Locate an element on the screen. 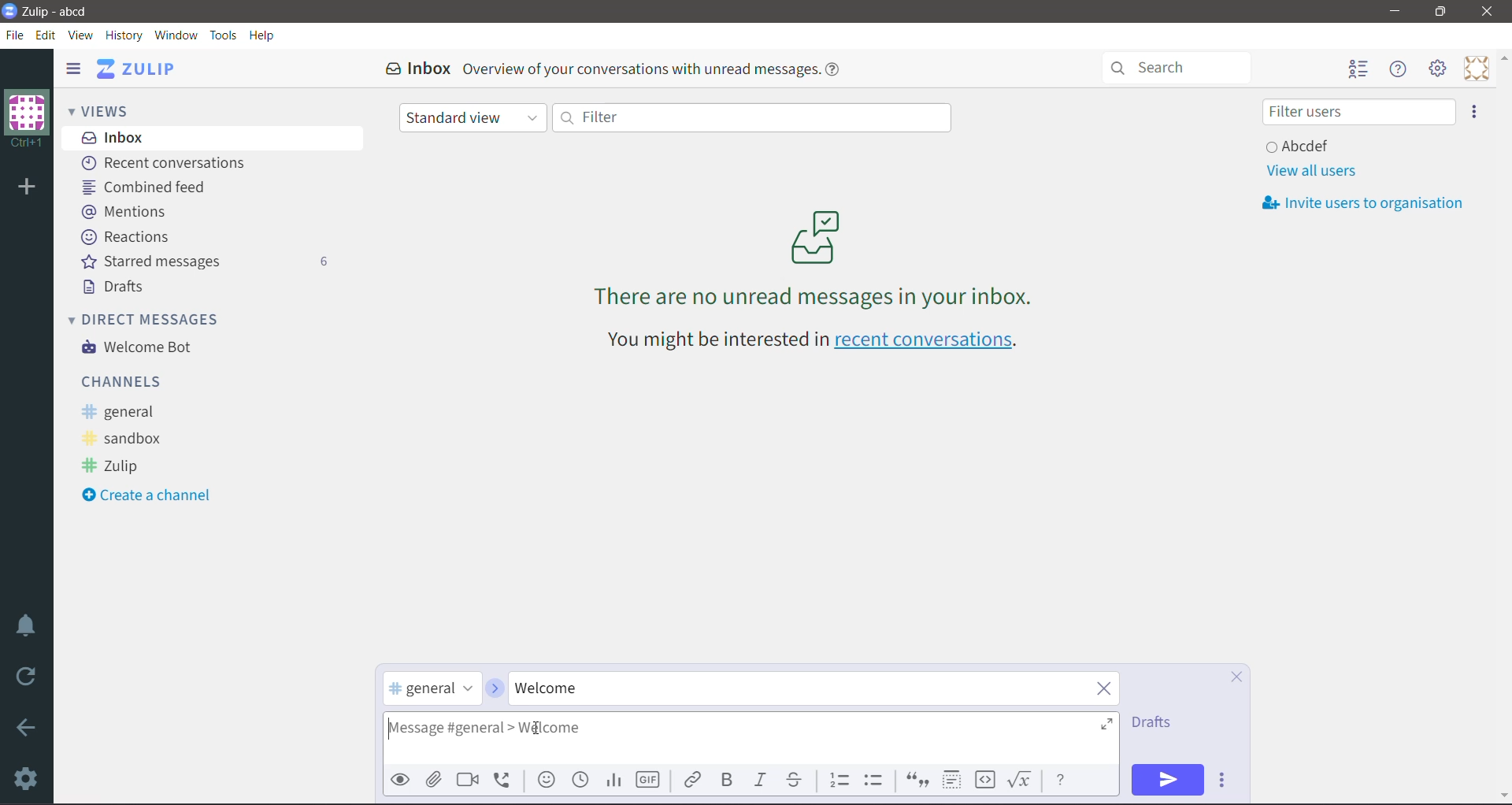 The height and width of the screenshot is (805, 1512). Typing Cursor is located at coordinates (540, 727).